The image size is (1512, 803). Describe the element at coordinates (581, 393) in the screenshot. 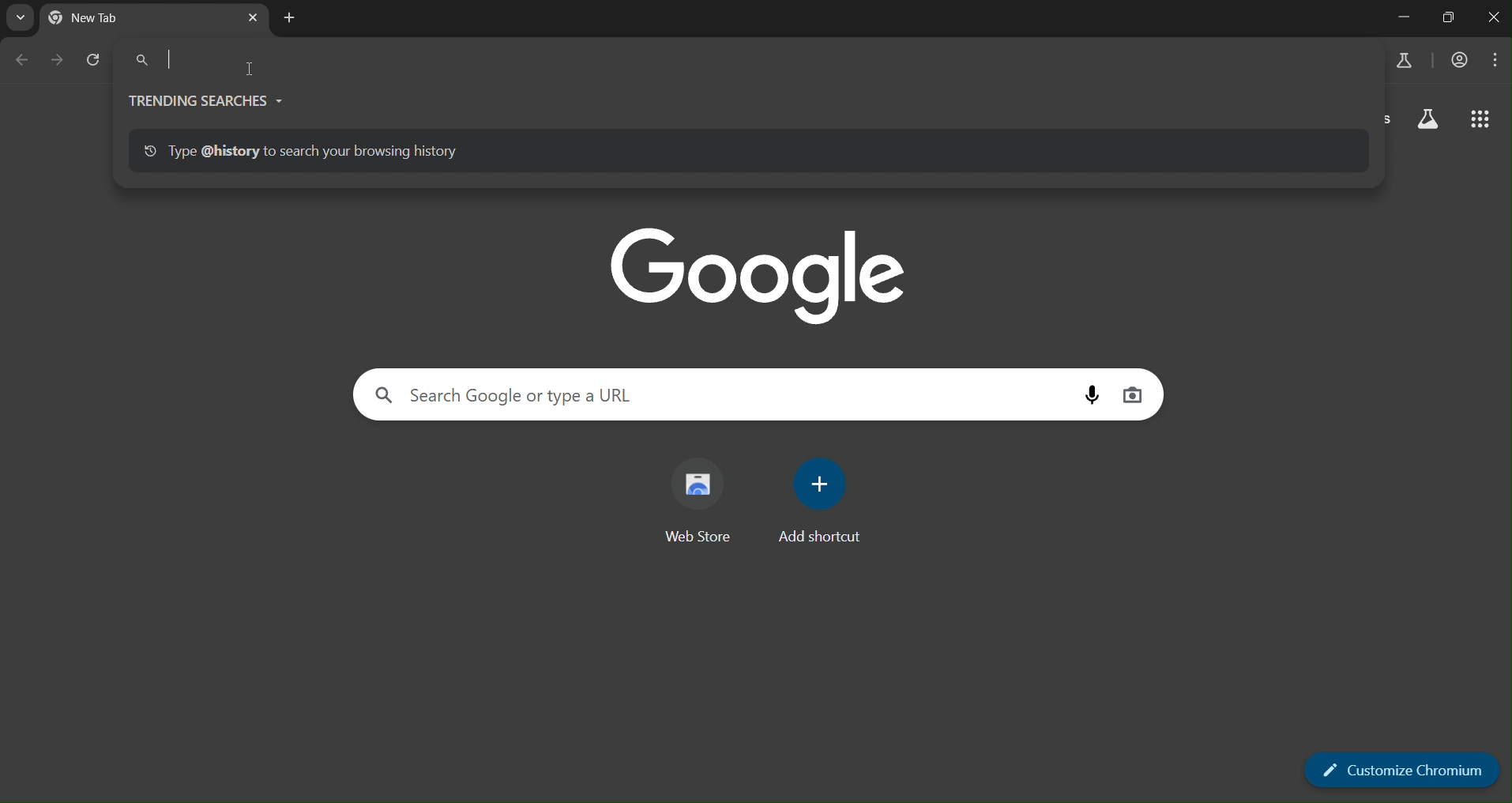

I see `search Google or type a URL` at that location.